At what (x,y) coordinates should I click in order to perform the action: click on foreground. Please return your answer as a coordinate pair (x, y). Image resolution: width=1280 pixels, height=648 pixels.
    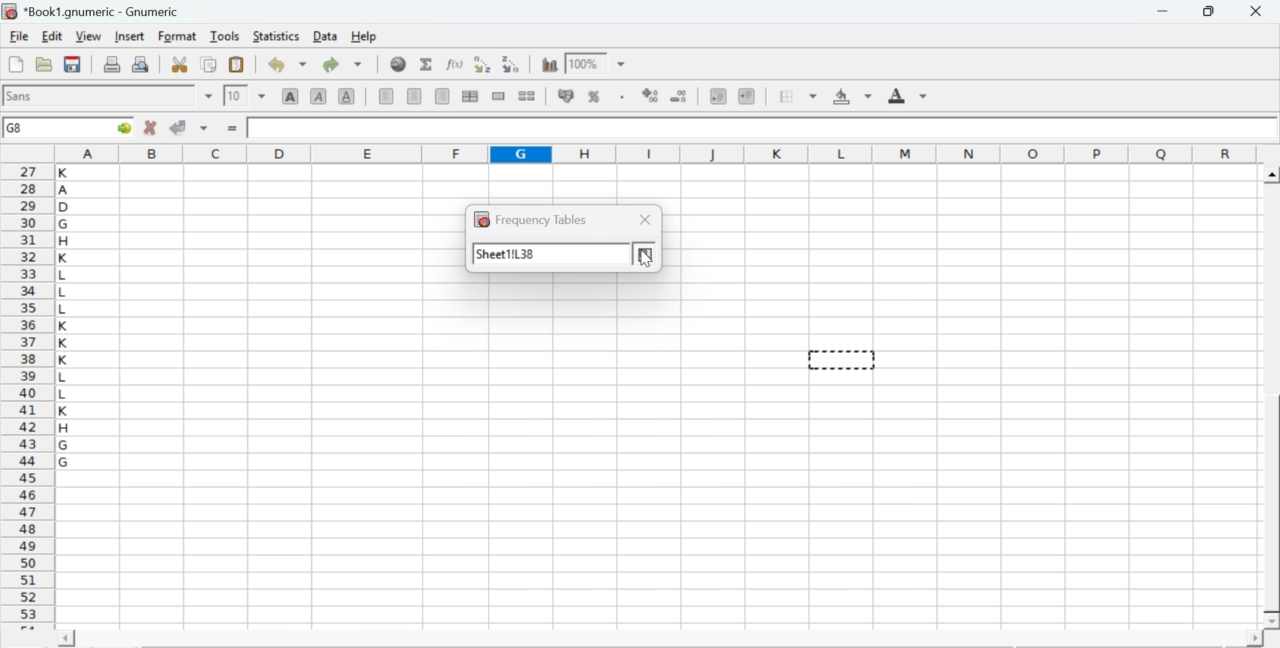
    Looking at the image, I should click on (908, 95).